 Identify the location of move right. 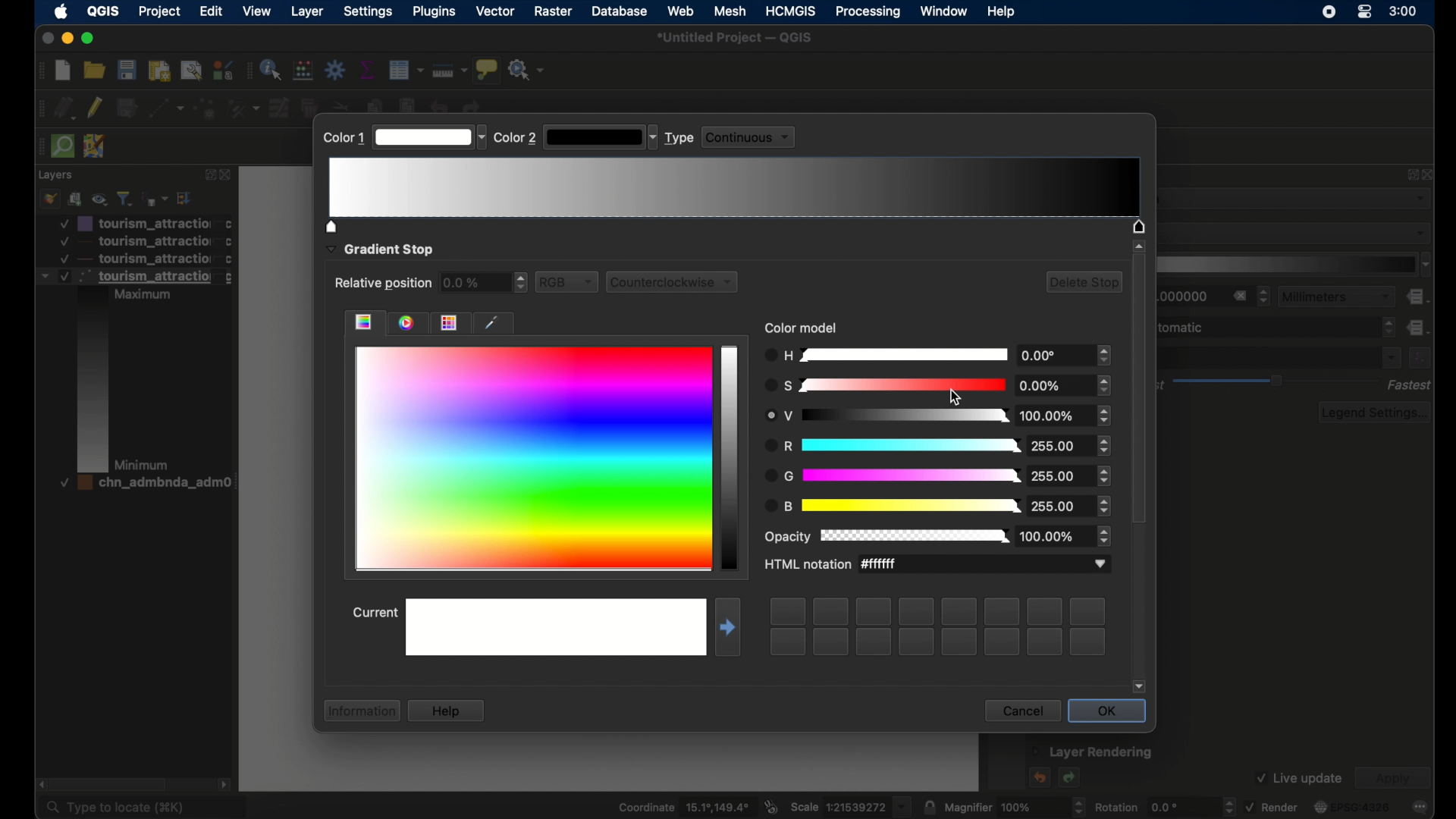
(728, 627).